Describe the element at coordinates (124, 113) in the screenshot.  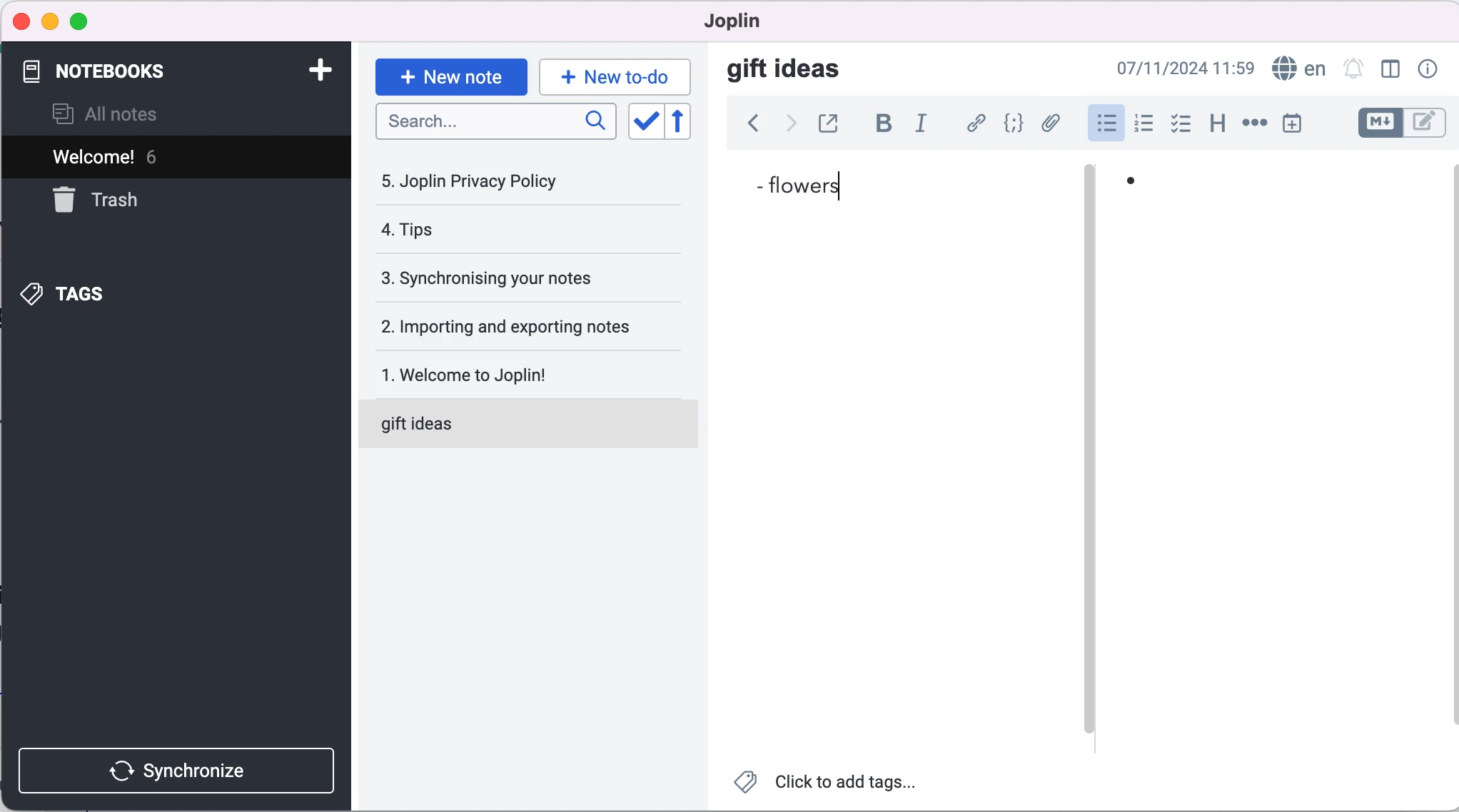
I see `all notes` at that location.